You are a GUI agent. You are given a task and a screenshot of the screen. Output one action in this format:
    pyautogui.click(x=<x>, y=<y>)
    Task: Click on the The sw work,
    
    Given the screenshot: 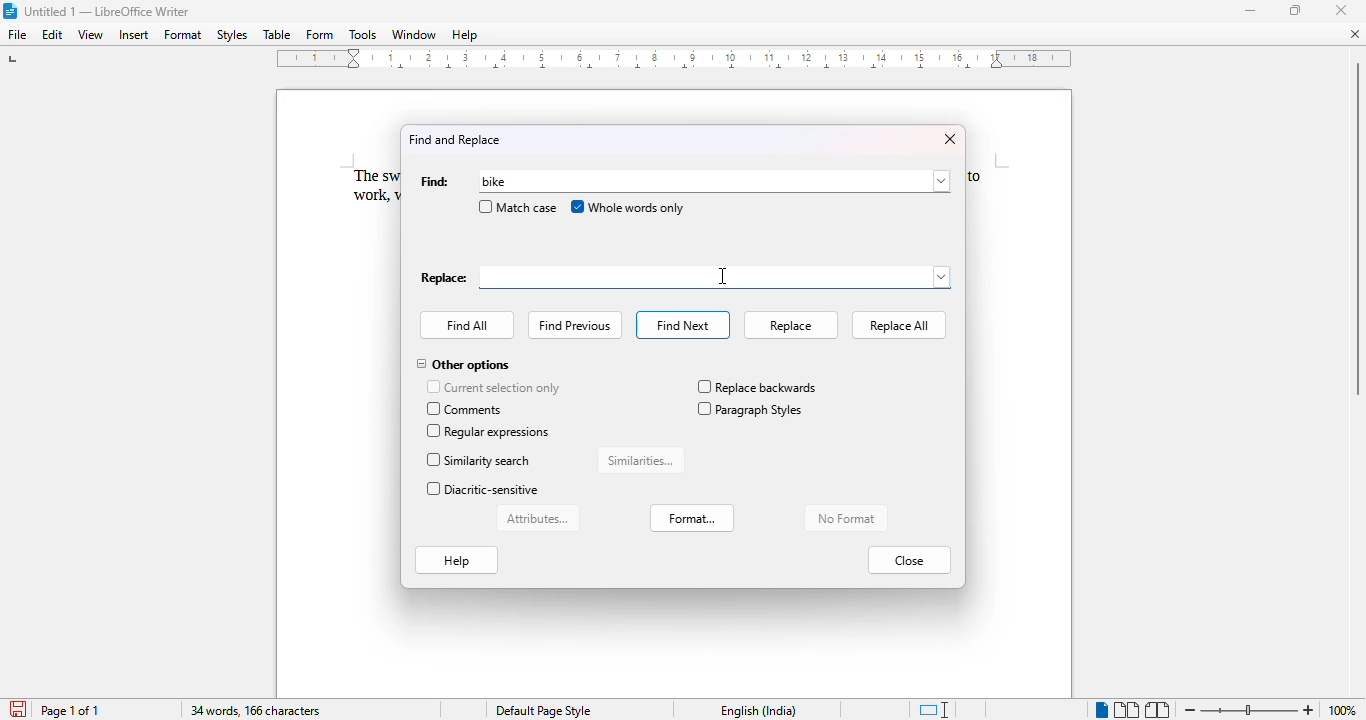 What is the action you would take?
    pyautogui.click(x=363, y=186)
    